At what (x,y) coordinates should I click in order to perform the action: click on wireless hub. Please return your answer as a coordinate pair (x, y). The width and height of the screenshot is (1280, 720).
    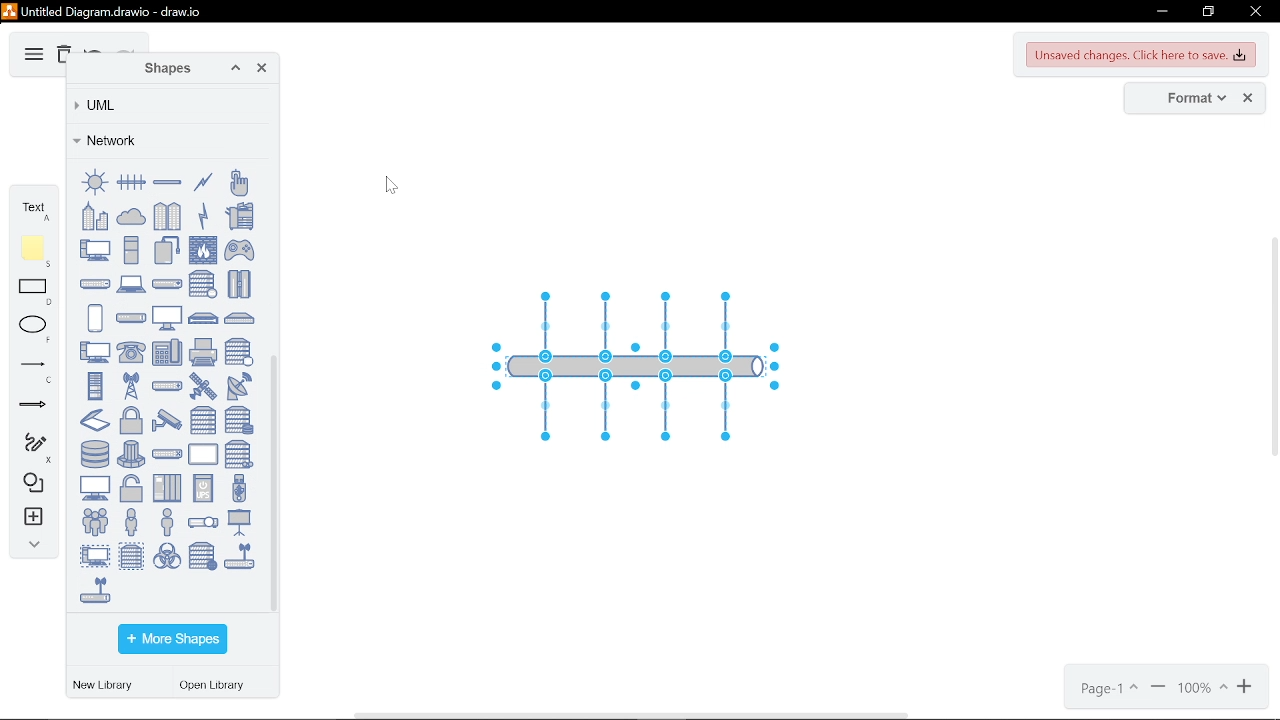
    Looking at the image, I should click on (239, 556).